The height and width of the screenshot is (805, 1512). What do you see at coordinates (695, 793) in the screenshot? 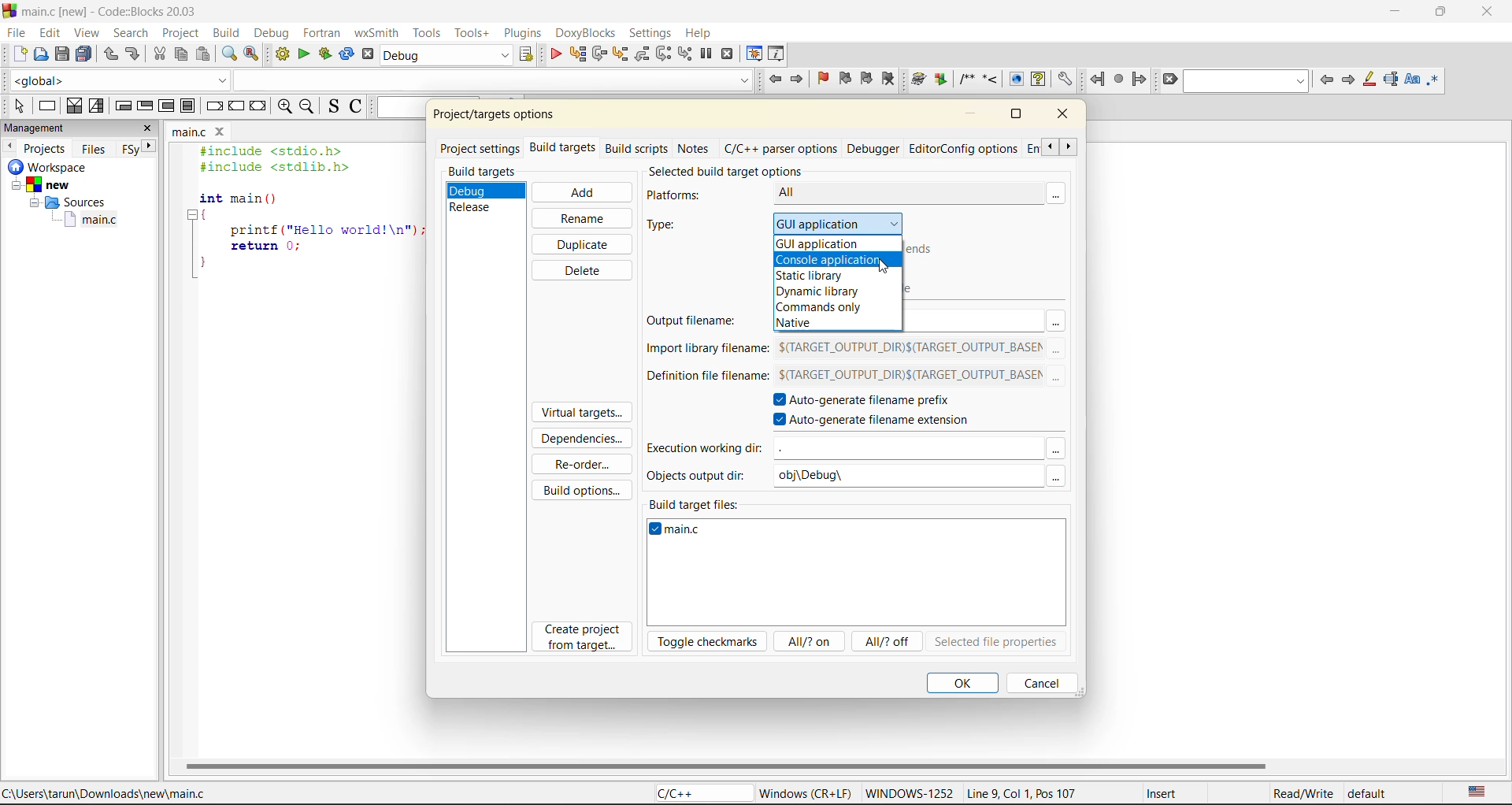
I see `C/C++` at bounding box center [695, 793].